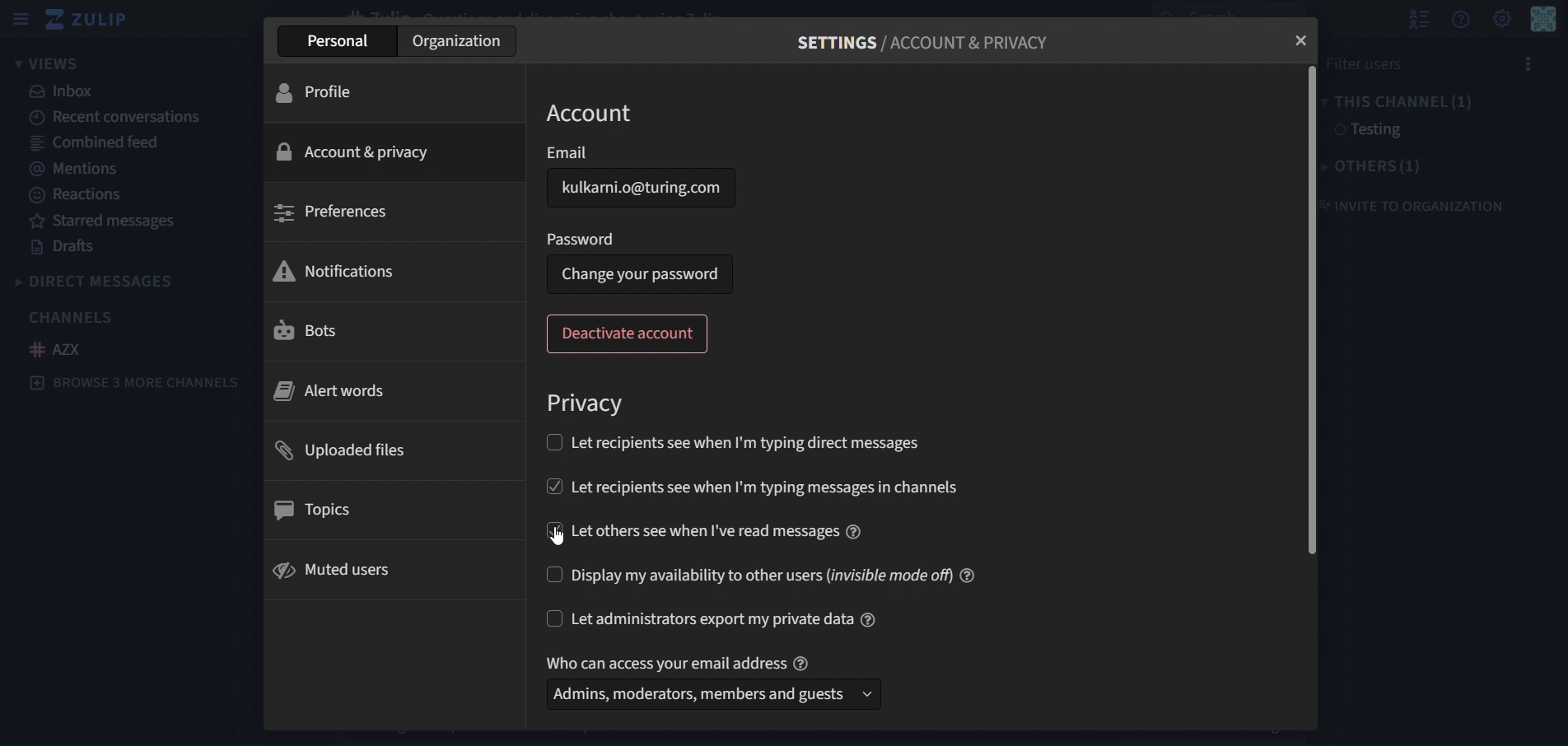 The width and height of the screenshot is (1568, 746). What do you see at coordinates (1461, 21) in the screenshot?
I see `get help` at bounding box center [1461, 21].